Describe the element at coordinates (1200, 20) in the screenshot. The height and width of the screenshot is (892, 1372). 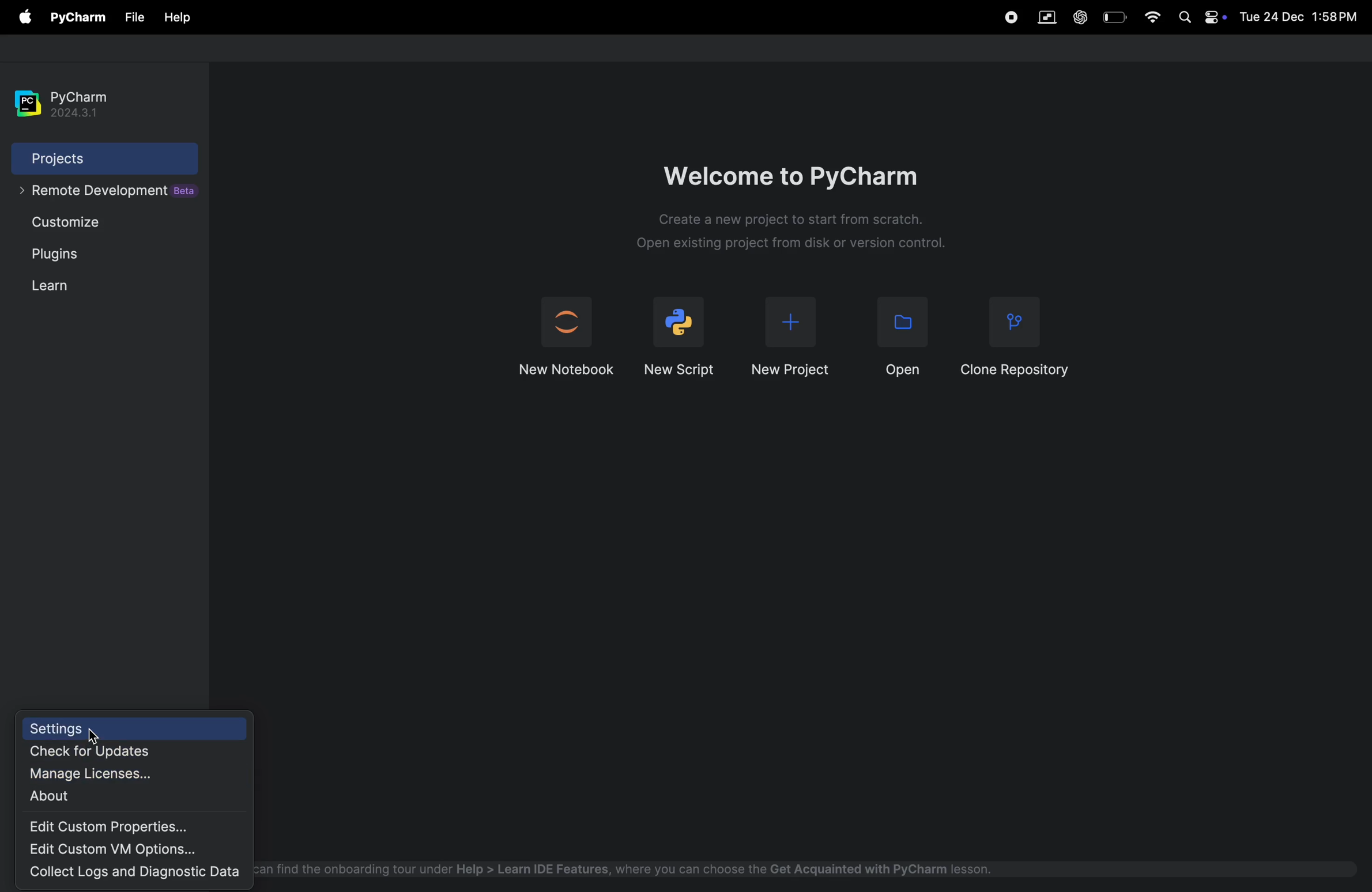
I see `apple widgets` at that location.